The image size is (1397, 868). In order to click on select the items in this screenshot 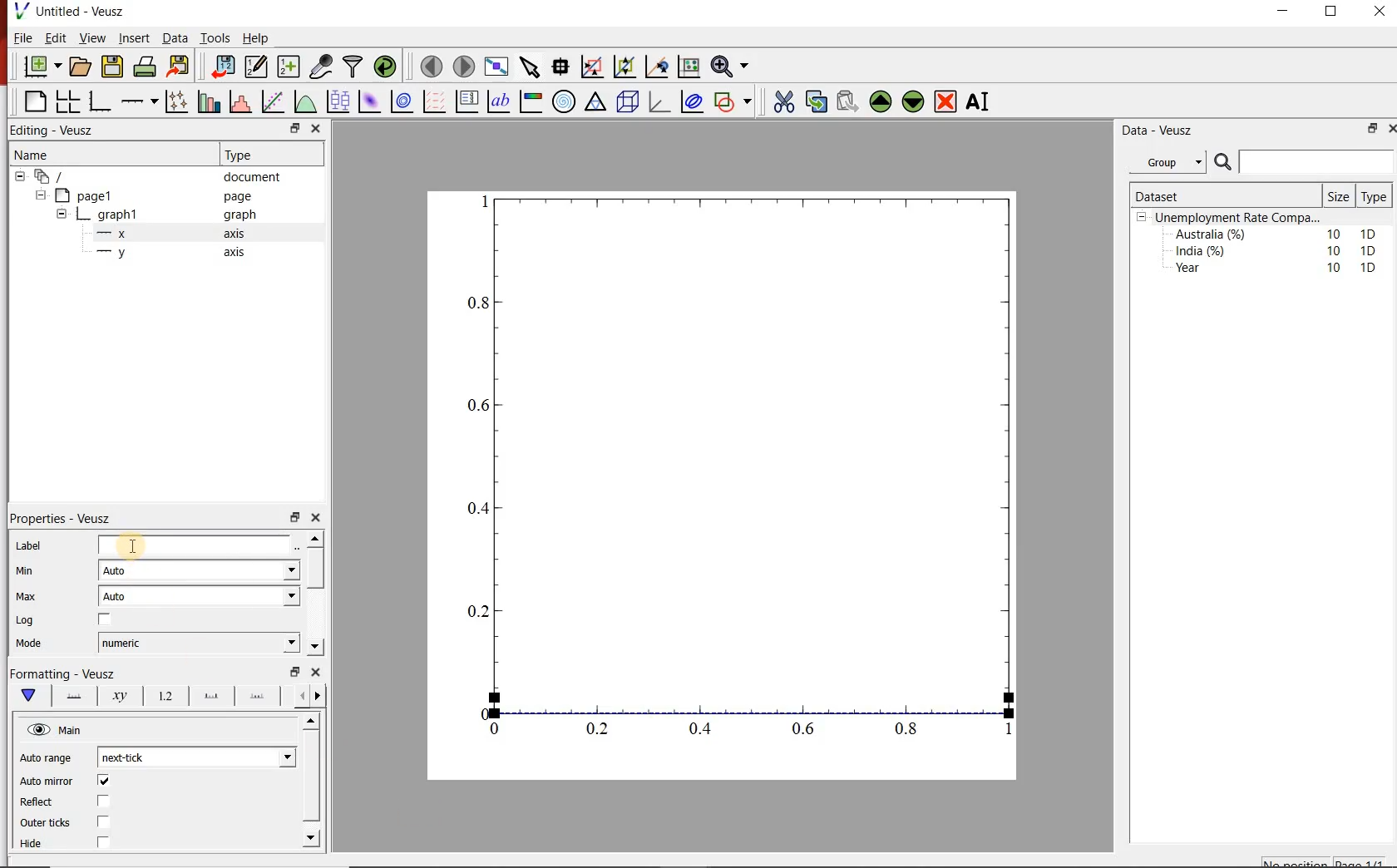, I will do `click(531, 65)`.